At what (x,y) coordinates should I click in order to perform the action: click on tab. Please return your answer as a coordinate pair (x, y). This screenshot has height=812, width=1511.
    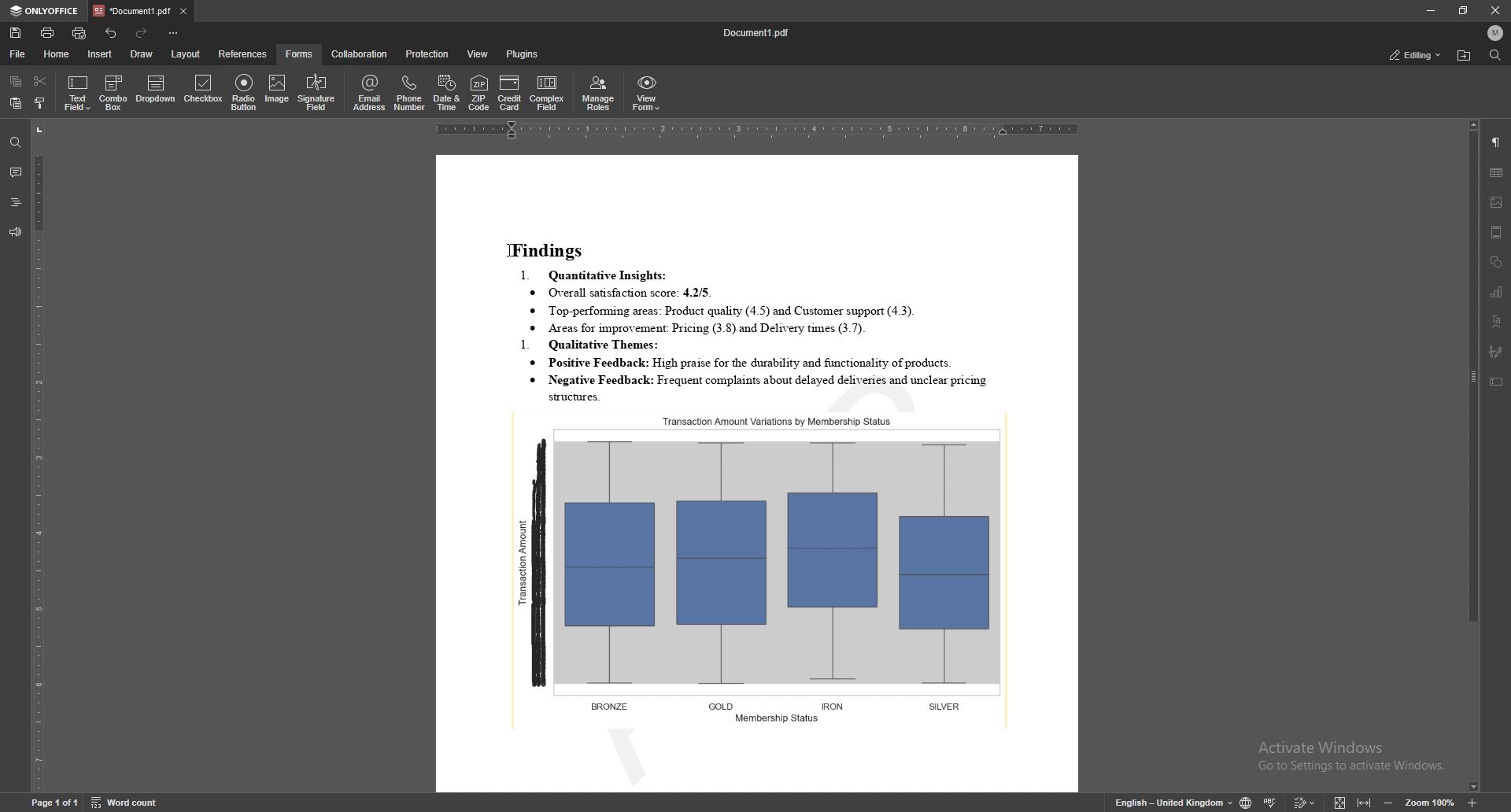
    Looking at the image, I should click on (131, 10).